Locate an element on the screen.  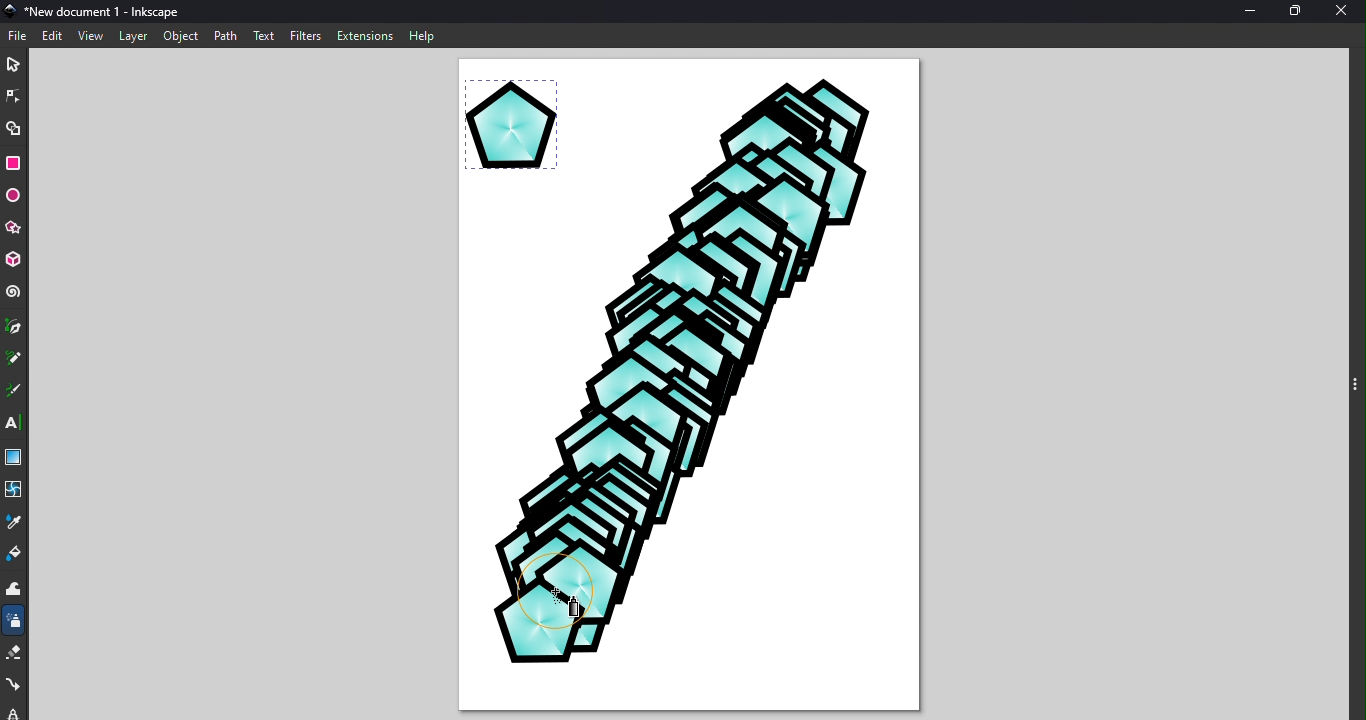
Path is located at coordinates (226, 35).